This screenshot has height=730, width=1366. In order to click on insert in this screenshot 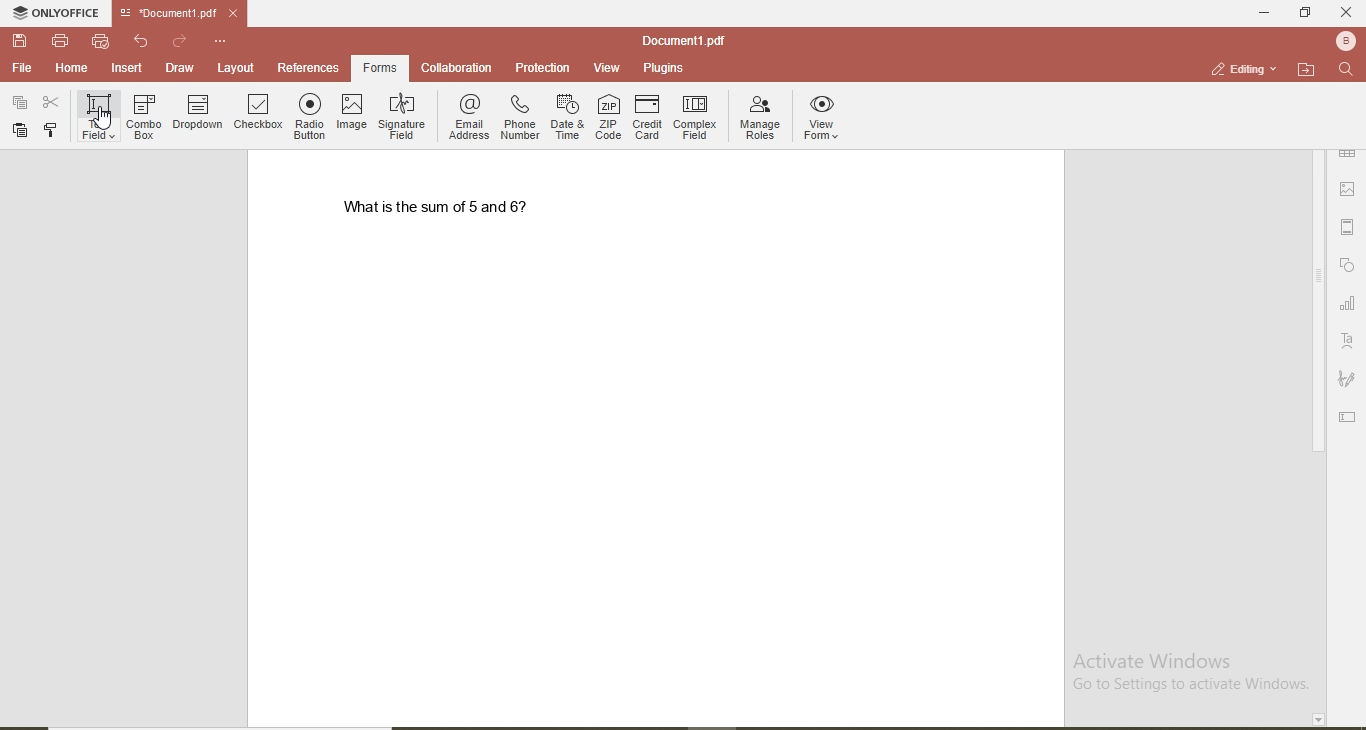, I will do `click(128, 69)`.